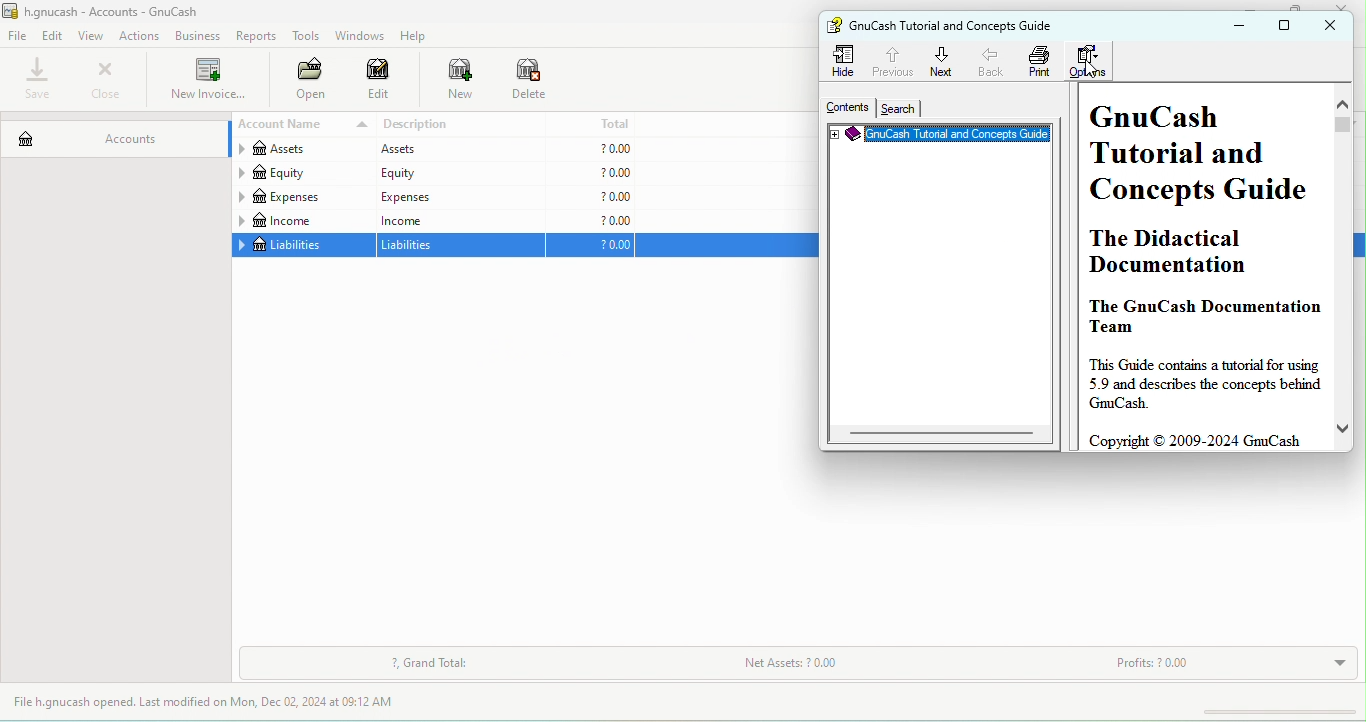 This screenshot has width=1366, height=722. I want to click on expenses, so click(302, 197).